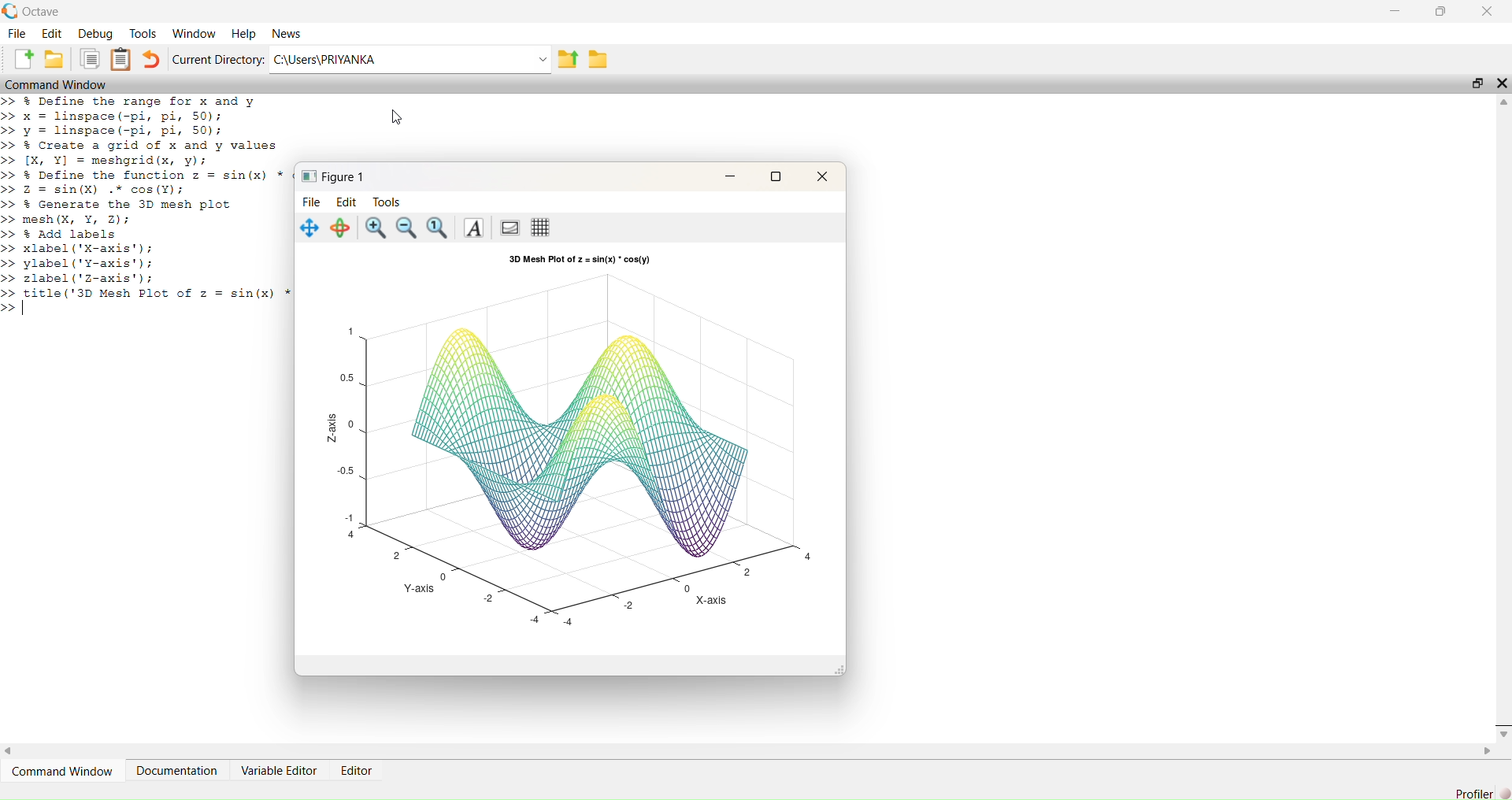  Describe the element at coordinates (334, 176) in the screenshot. I see `Figure 1` at that location.